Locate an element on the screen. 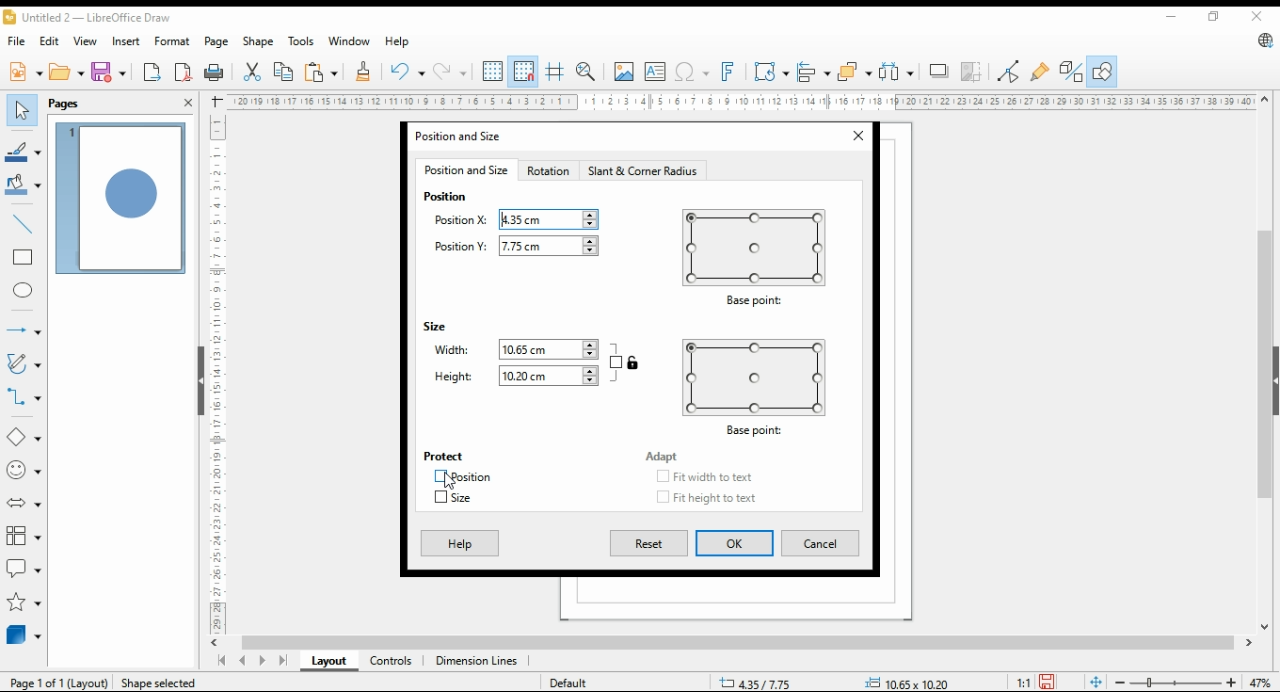 The image size is (1280, 692). slant and corner radius is located at coordinates (643, 171).